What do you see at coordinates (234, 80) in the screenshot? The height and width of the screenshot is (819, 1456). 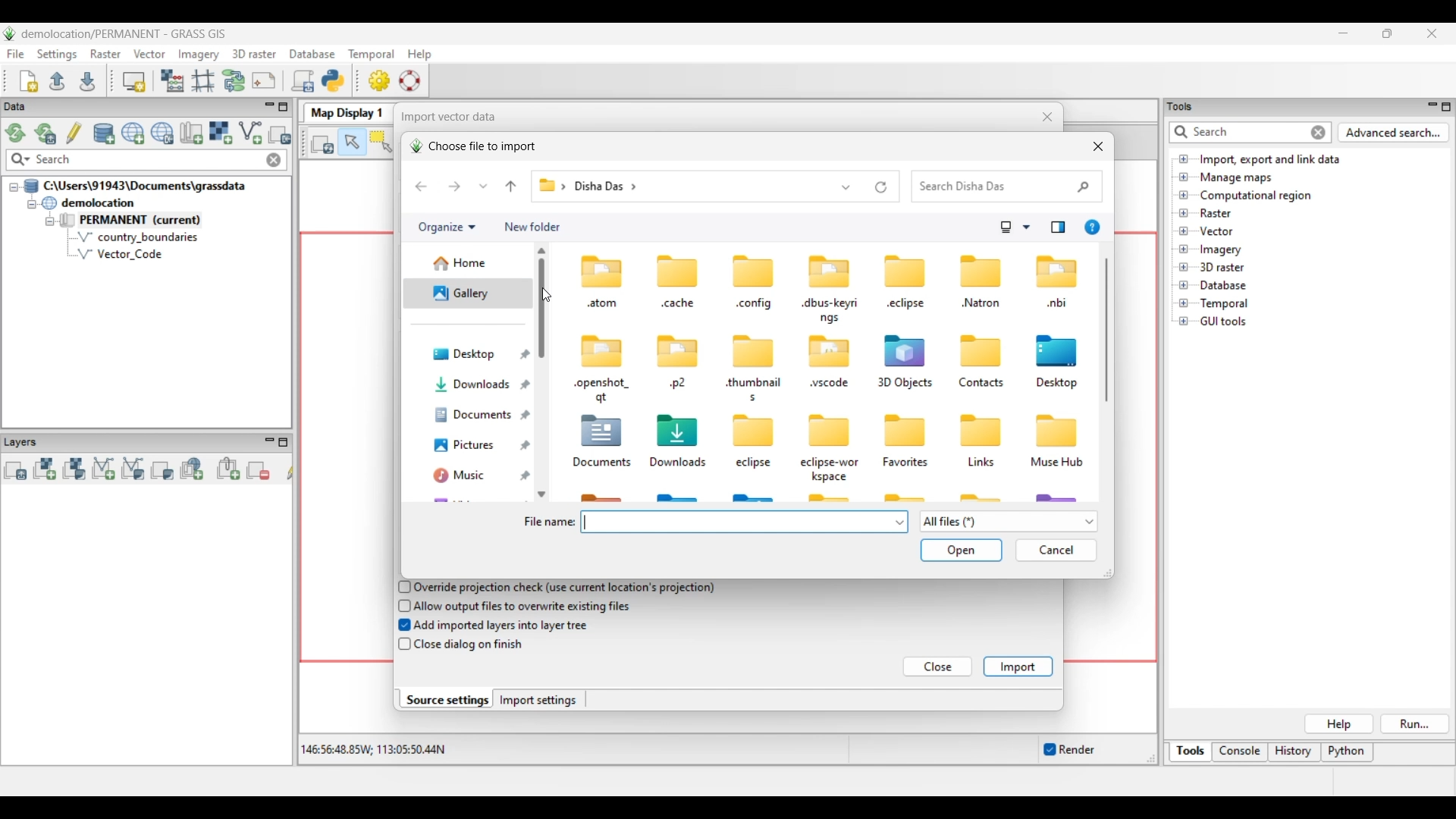 I see `Graphical Modeler` at bounding box center [234, 80].